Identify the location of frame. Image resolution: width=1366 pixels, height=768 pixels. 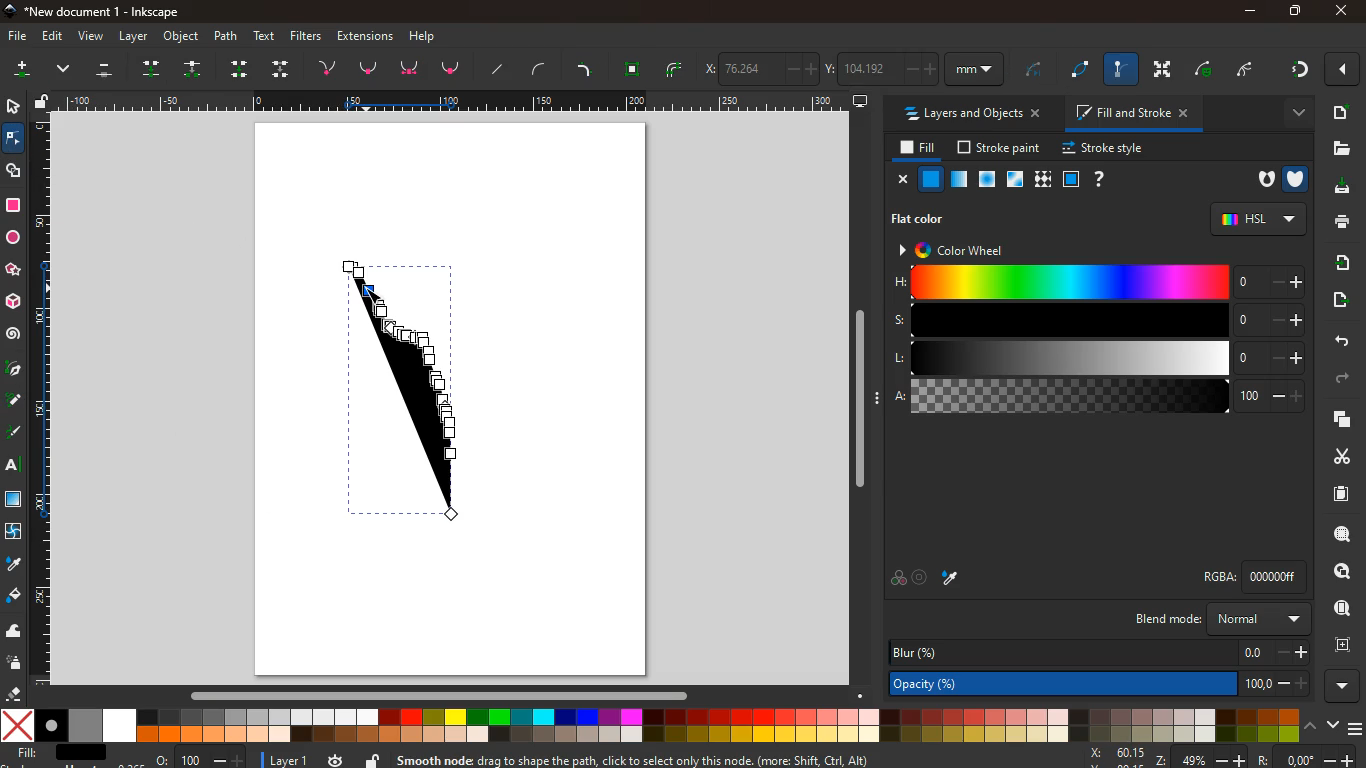
(1340, 643).